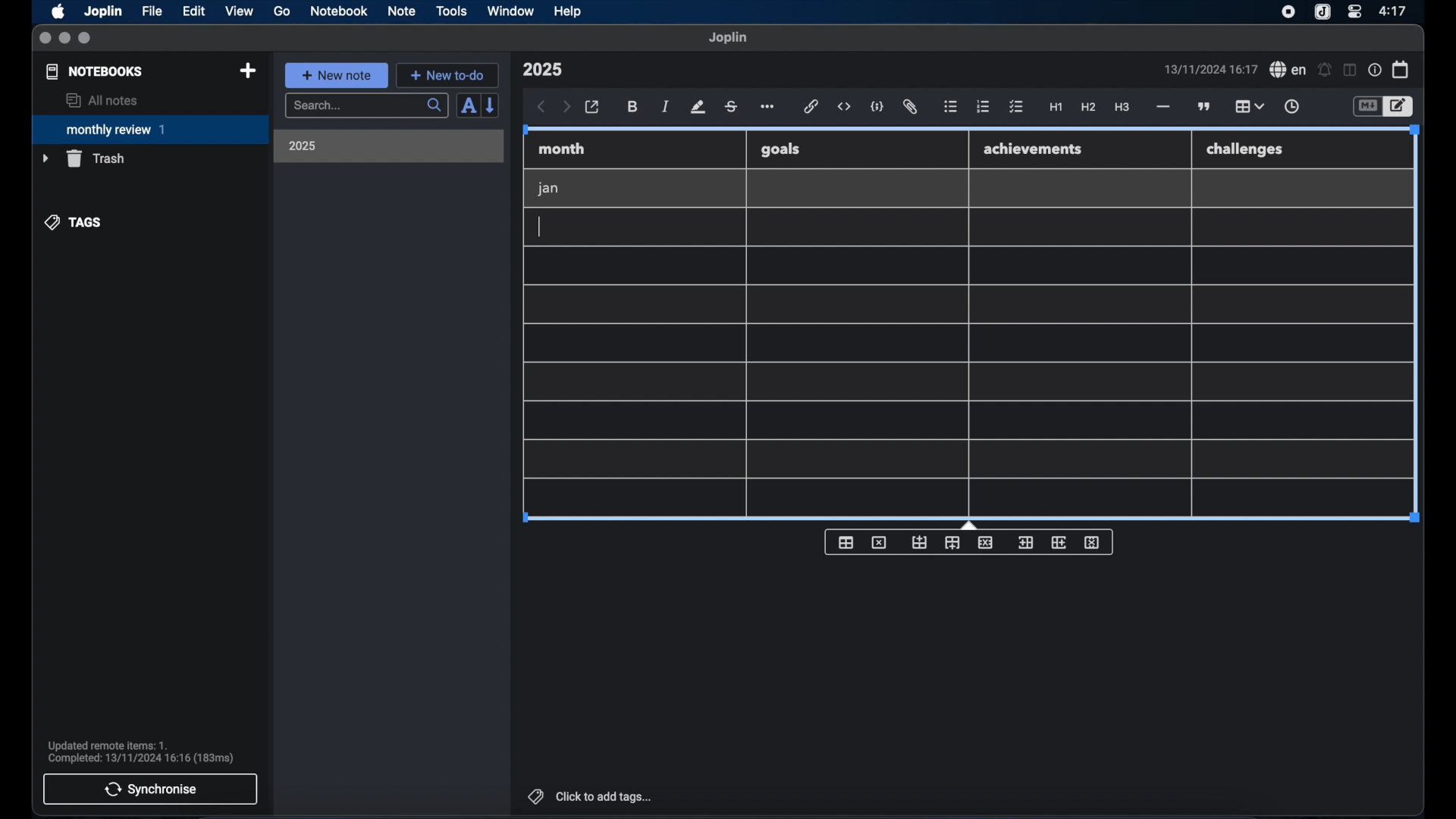 Image resolution: width=1456 pixels, height=819 pixels. What do you see at coordinates (1210, 69) in the screenshot?
I see `date` at bounding box center [1210, 69].